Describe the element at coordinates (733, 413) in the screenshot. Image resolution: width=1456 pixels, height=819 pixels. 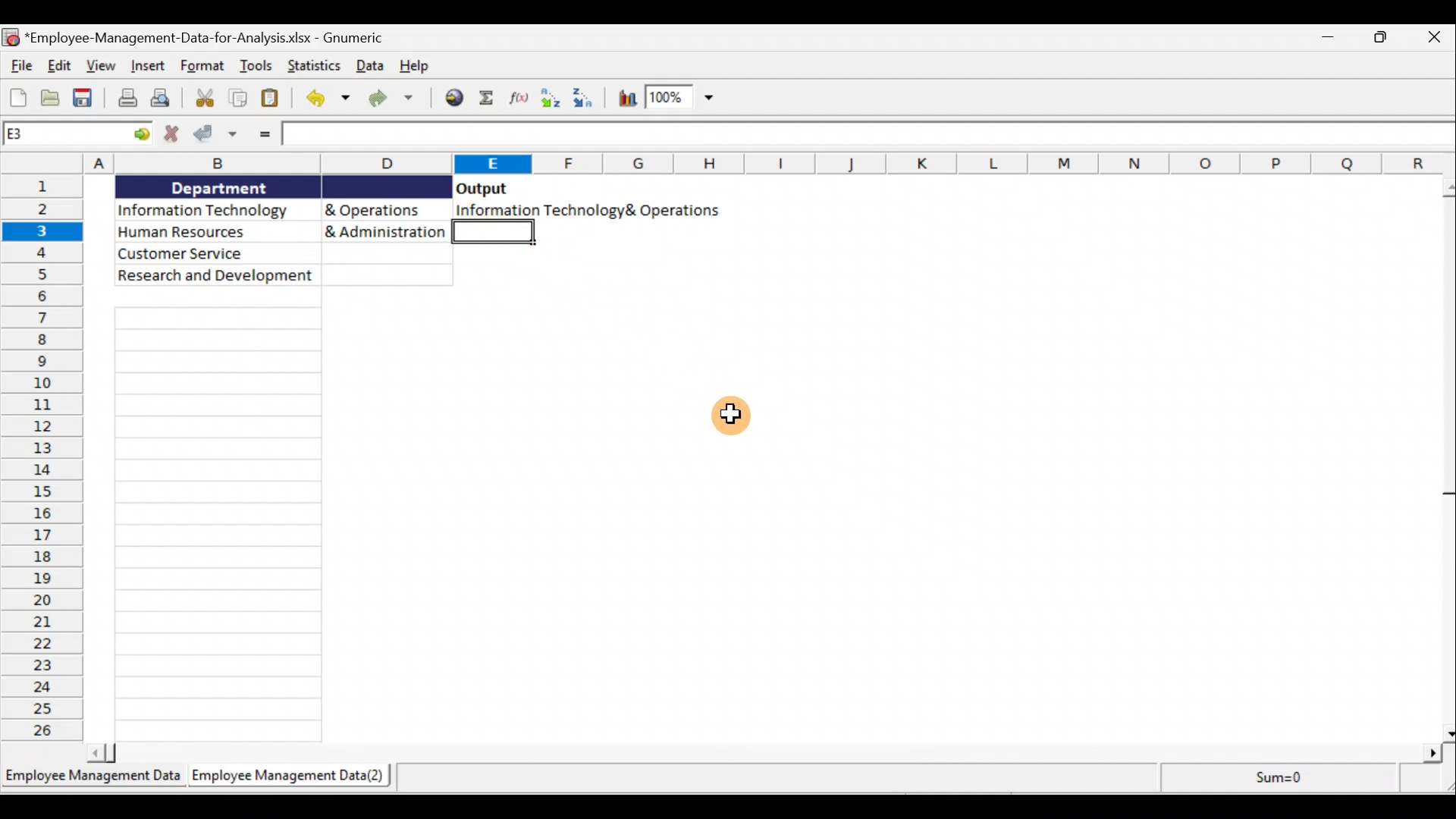
I see `cursor` at that location.